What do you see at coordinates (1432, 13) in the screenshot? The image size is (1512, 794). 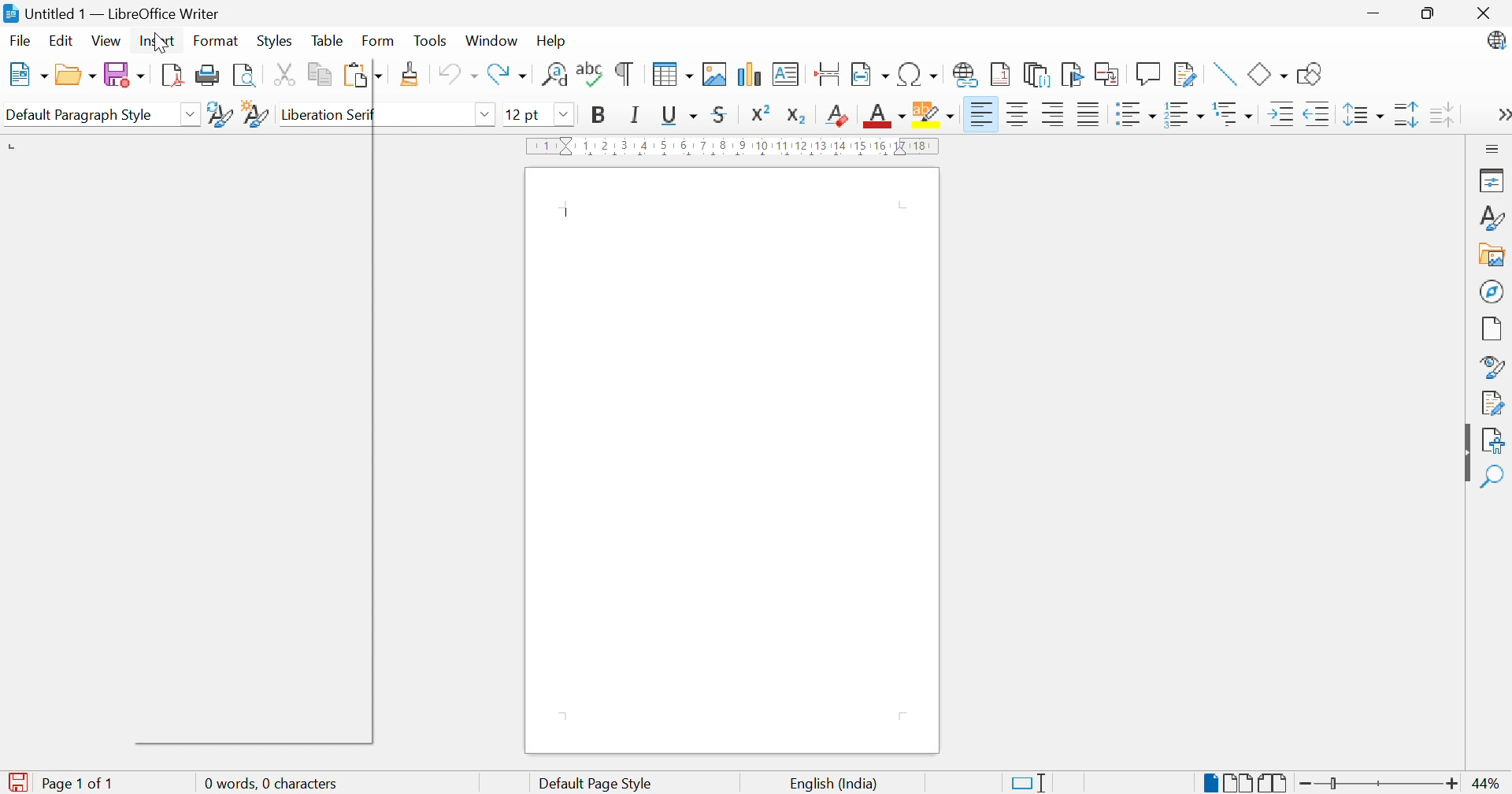 I see `Restore down` at bounding box center [1432, 13].